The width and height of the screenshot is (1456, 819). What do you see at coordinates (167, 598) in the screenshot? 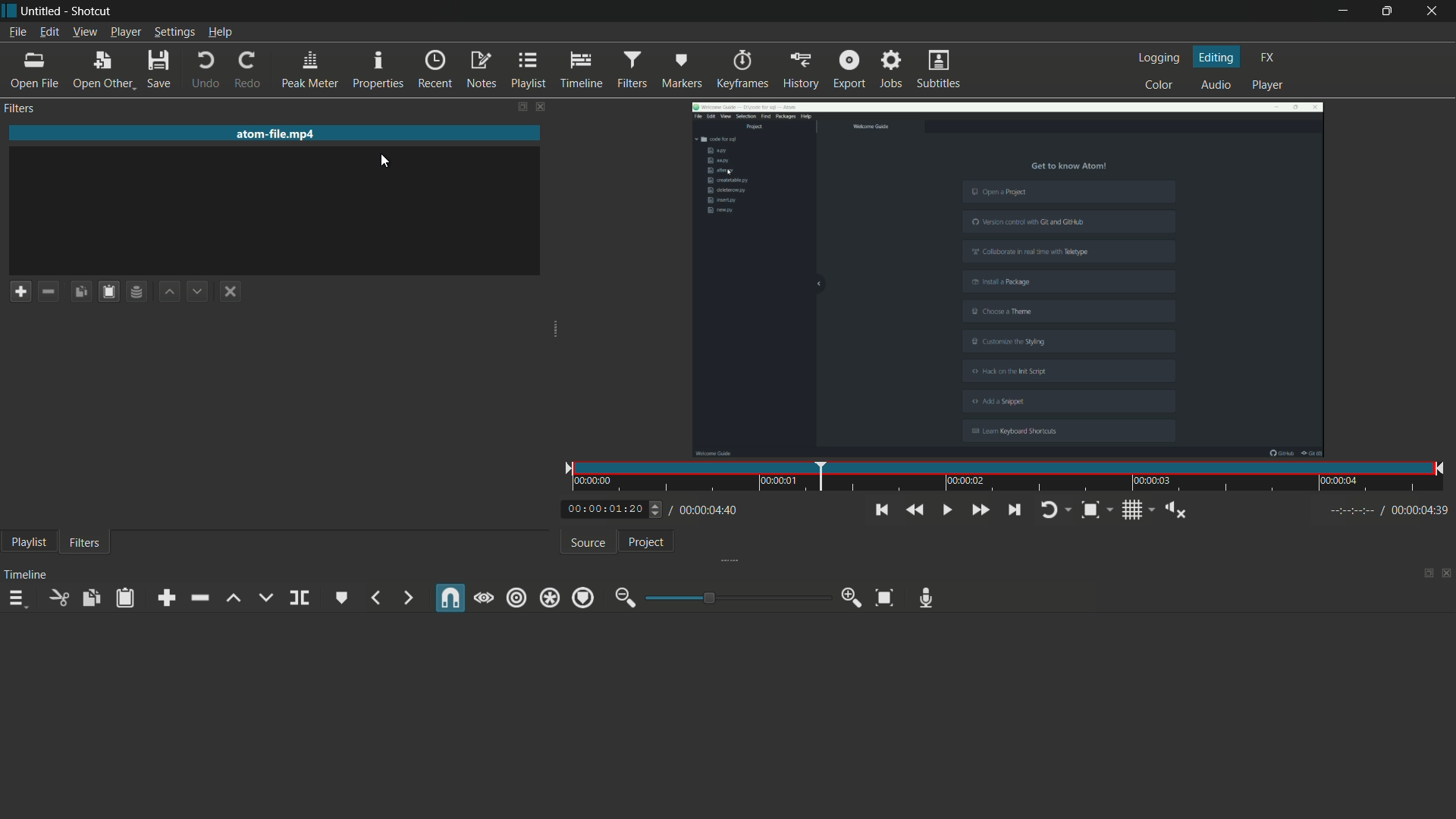
I see `append` at bounding box center [167, 598].